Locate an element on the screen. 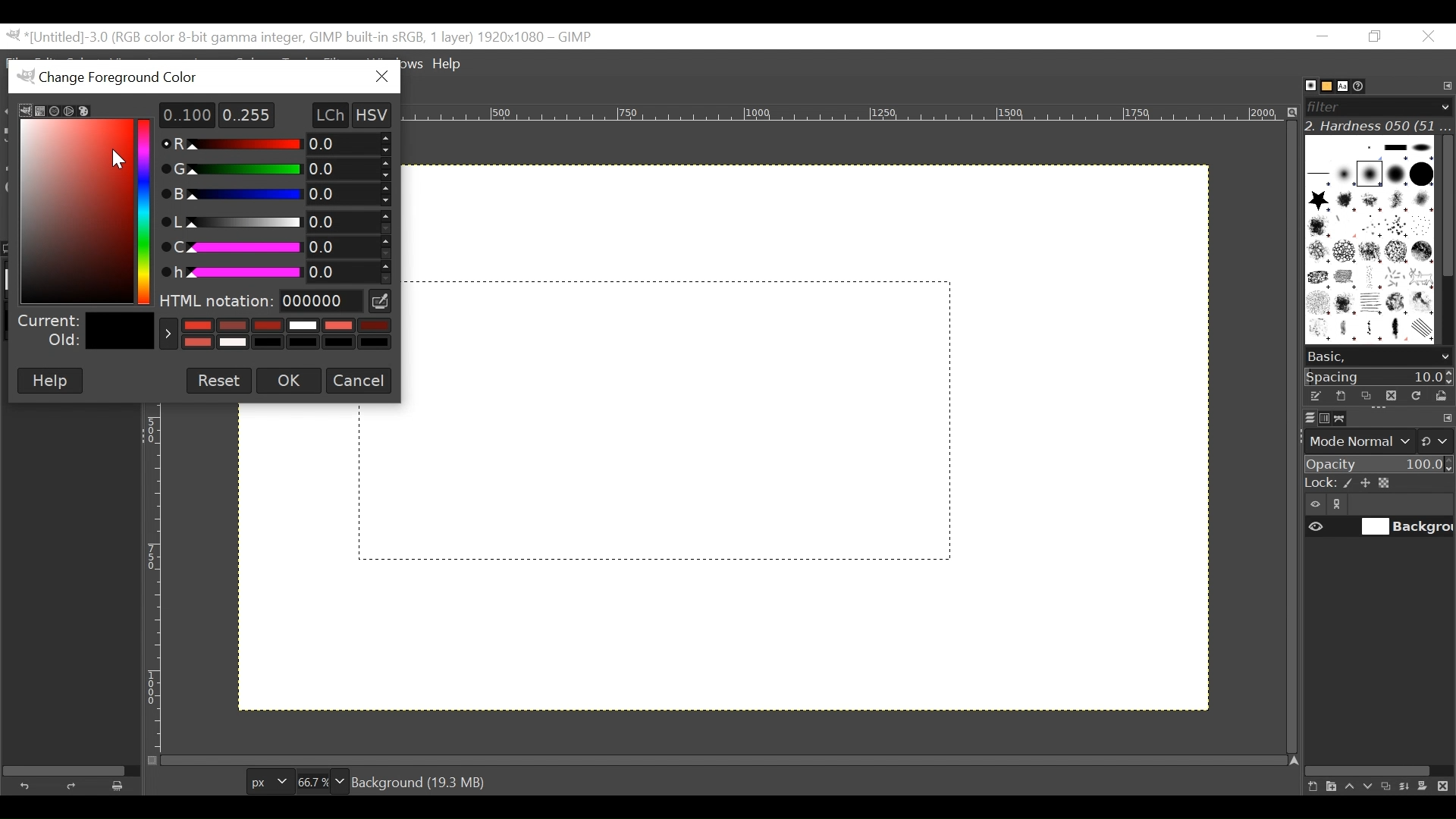 The image size is (1456, 819). Chroma is located at coordinates (276, 246).